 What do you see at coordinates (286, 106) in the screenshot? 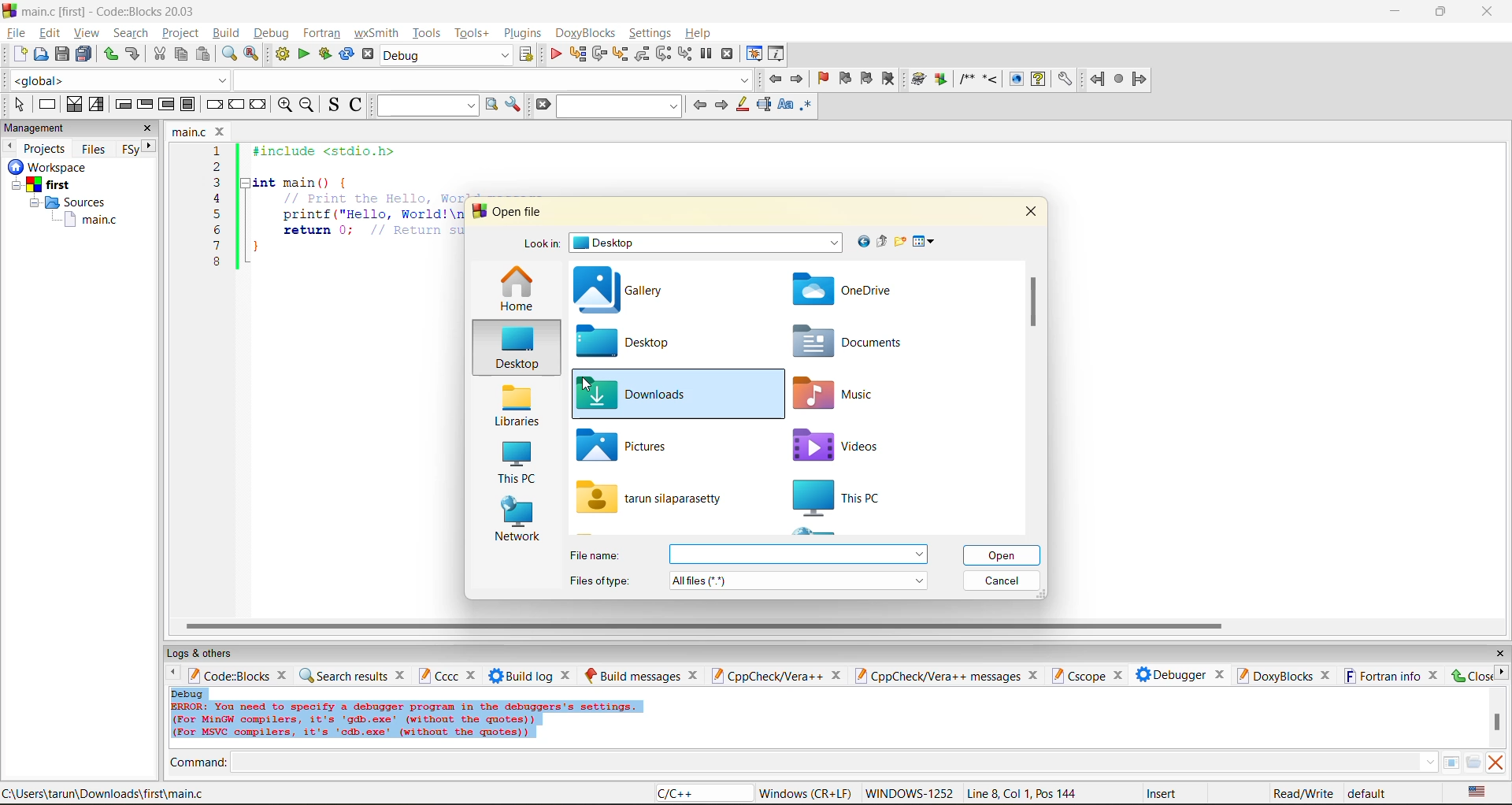
I see `zoom in` at bounding box center [286, 106].